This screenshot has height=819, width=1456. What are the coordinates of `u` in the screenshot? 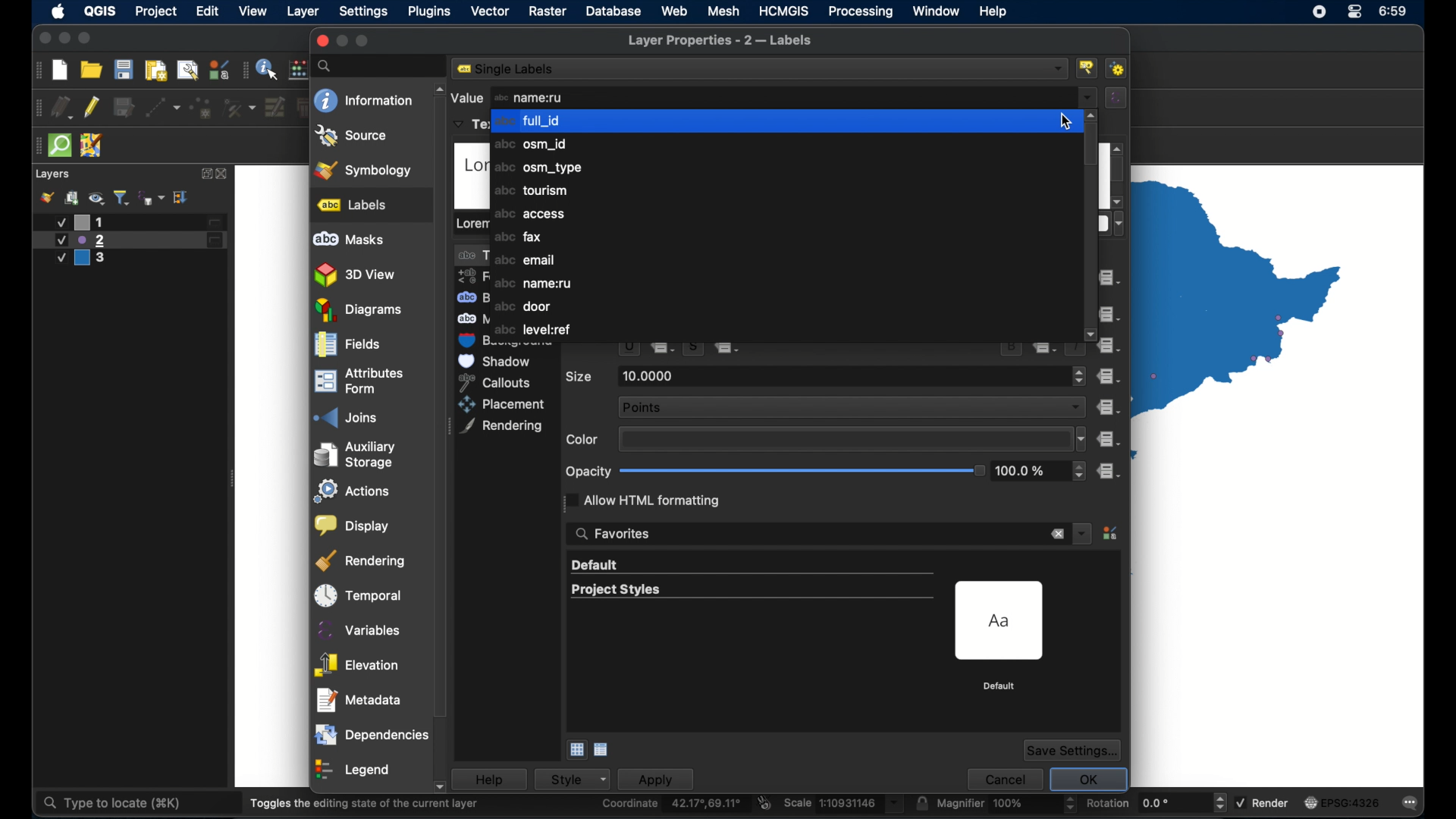 It's located at (628, 350).